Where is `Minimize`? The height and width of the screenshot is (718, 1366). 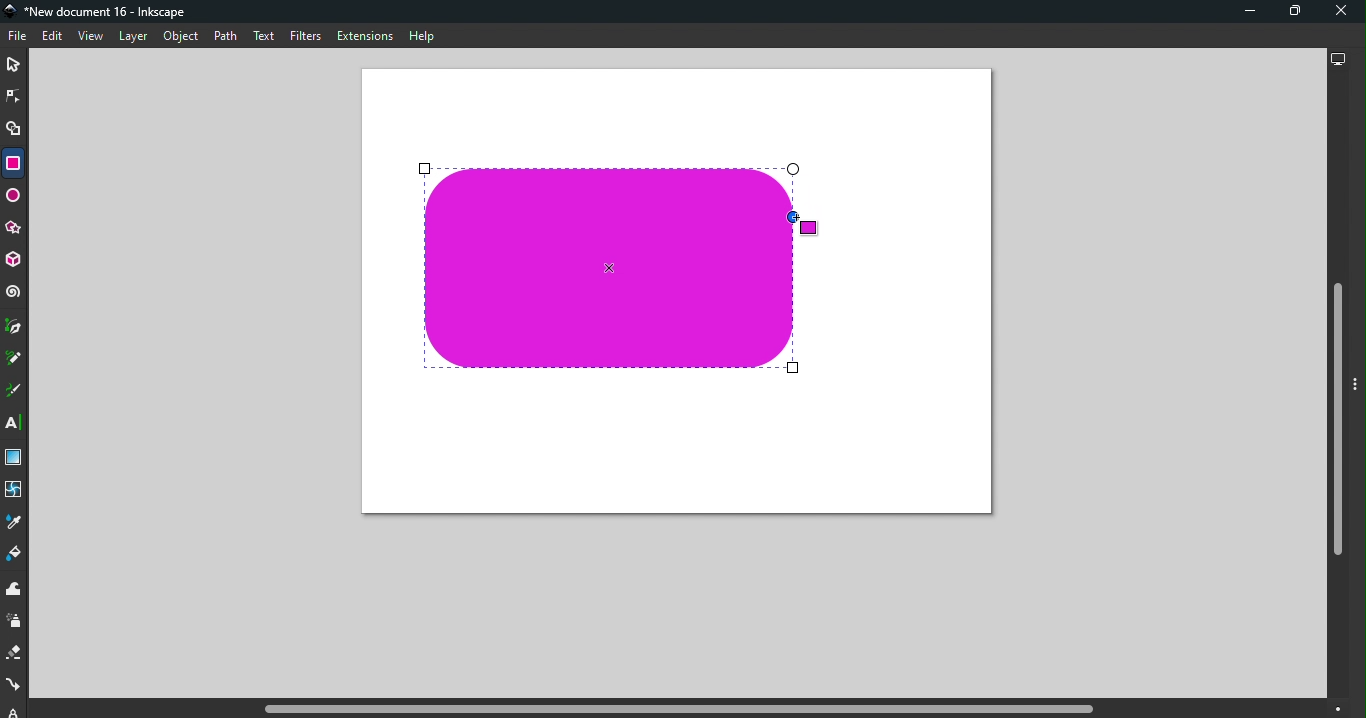
Minimize is located at coordinates (1247, 11).